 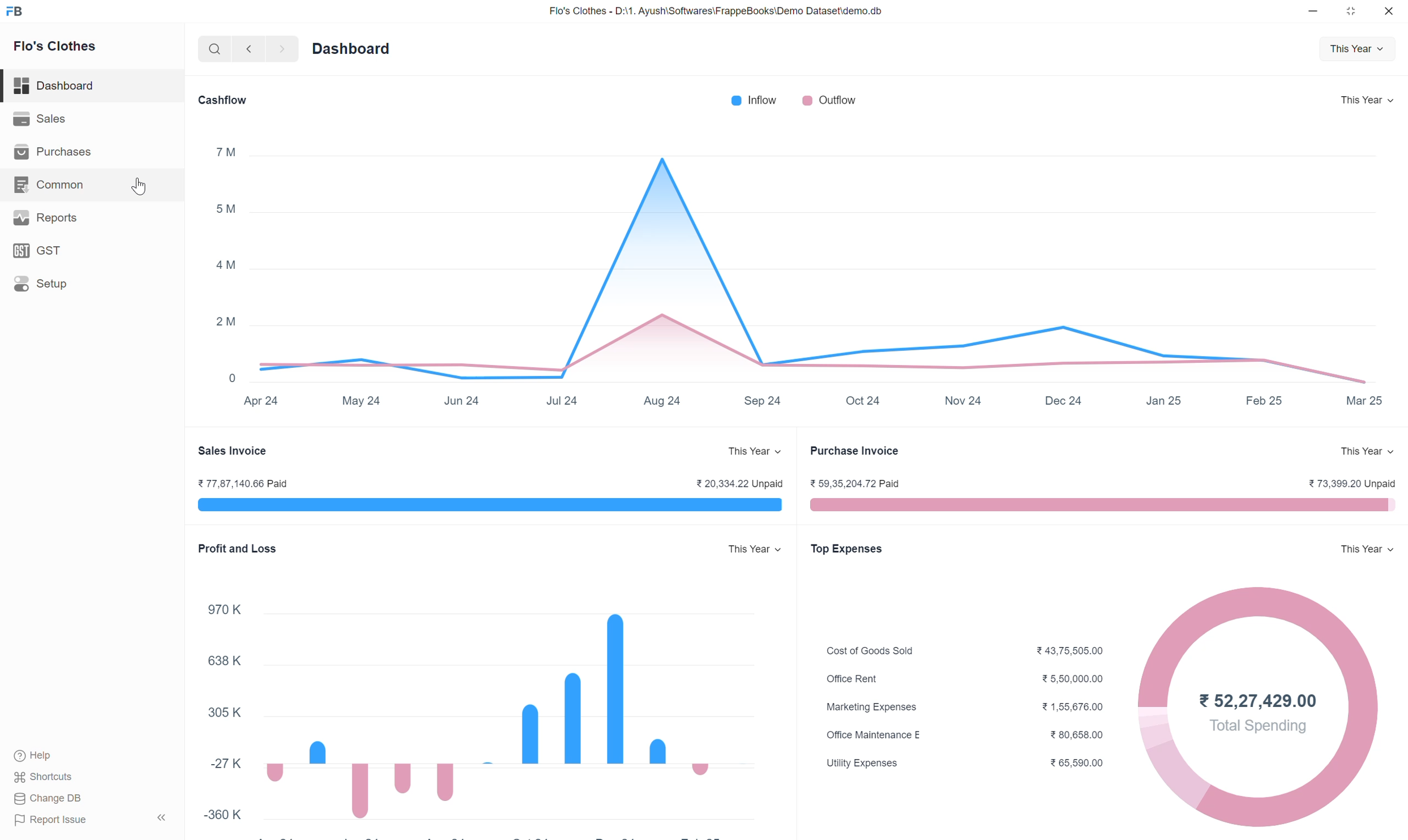 I want to click on Shortcuts, so click(x=48, y=778).